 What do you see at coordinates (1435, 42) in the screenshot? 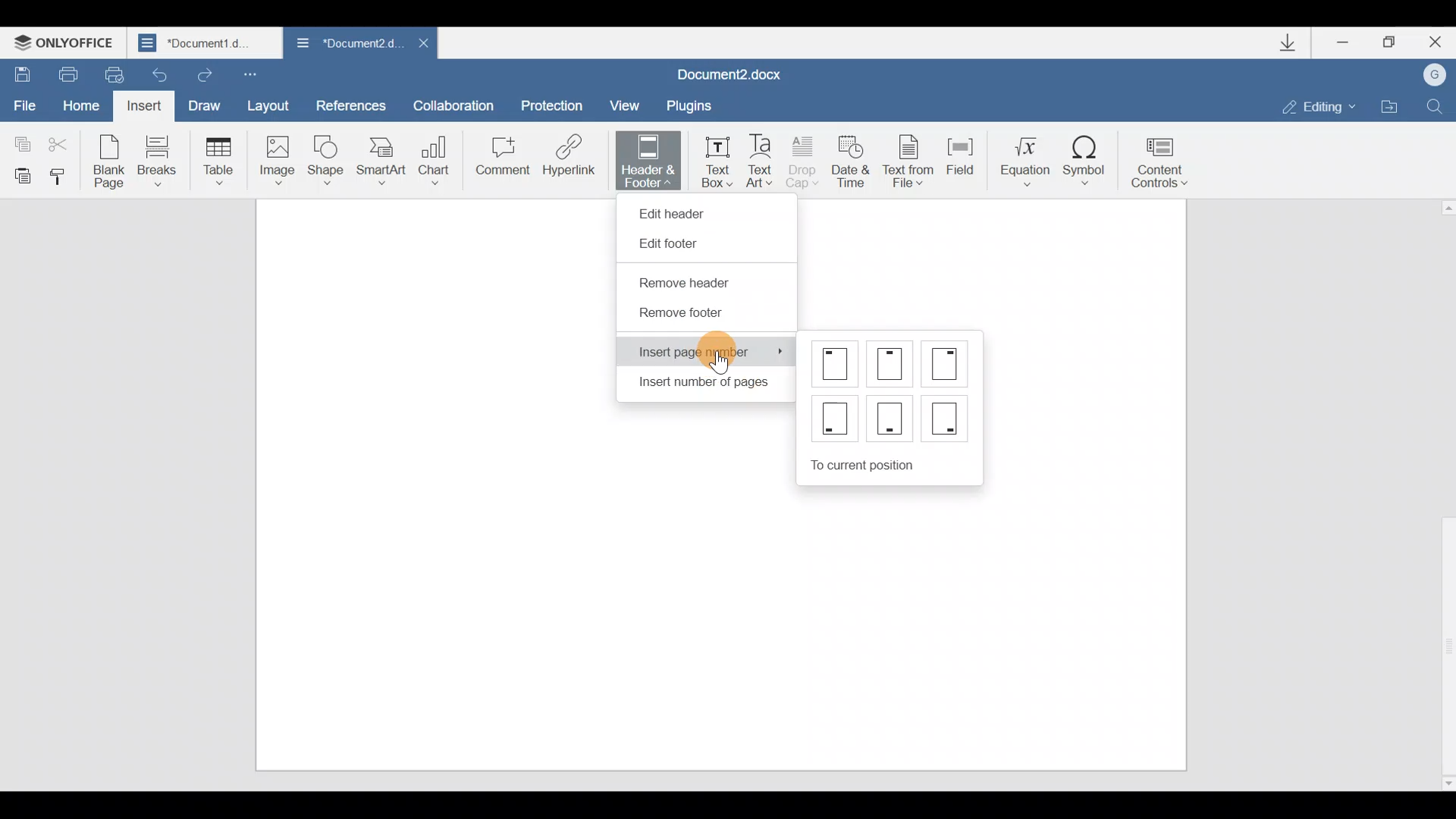
I see `Close` at bounding box center [1435, 42].